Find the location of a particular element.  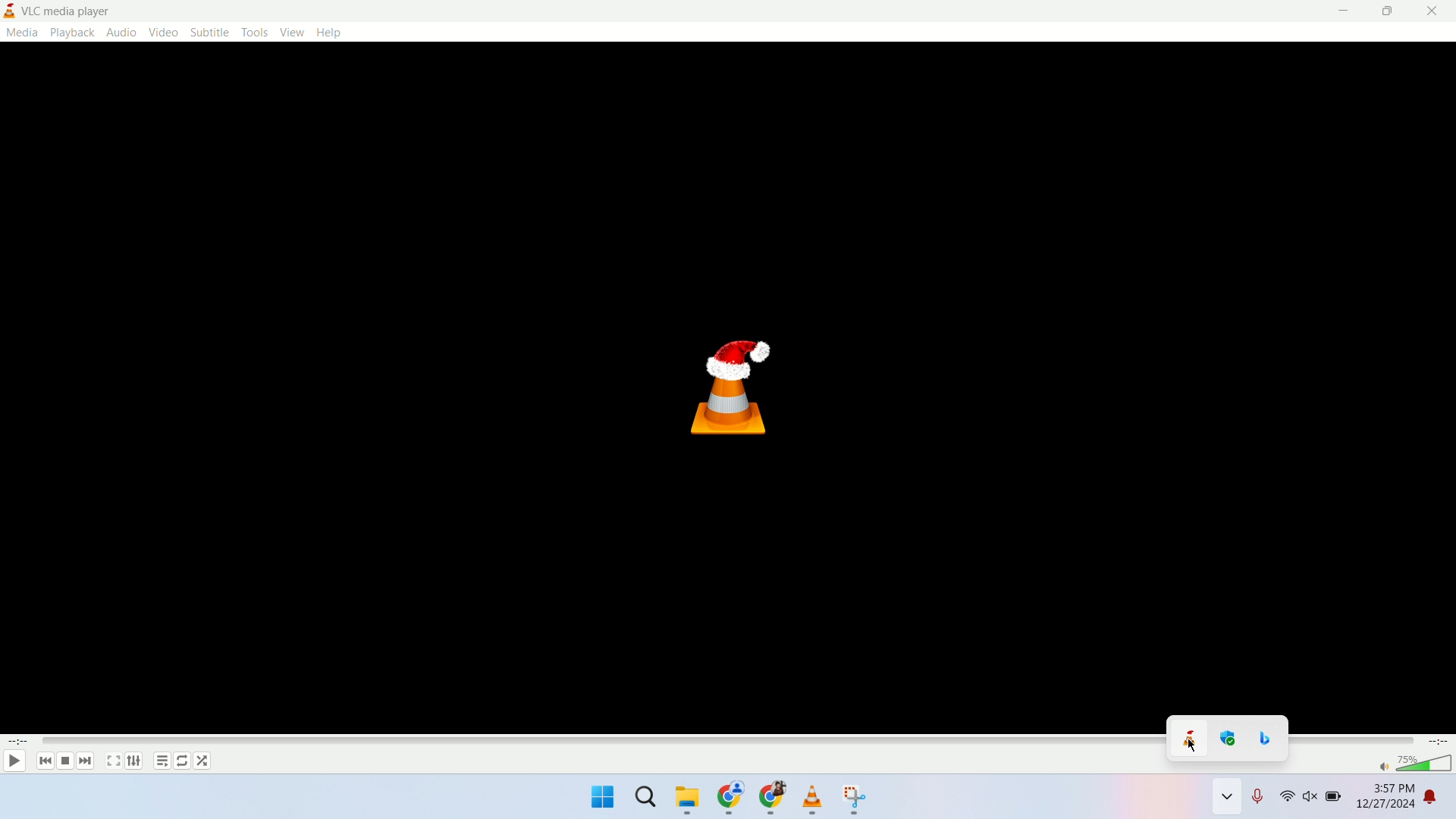

microphone is located at coordinates (1261, 800).